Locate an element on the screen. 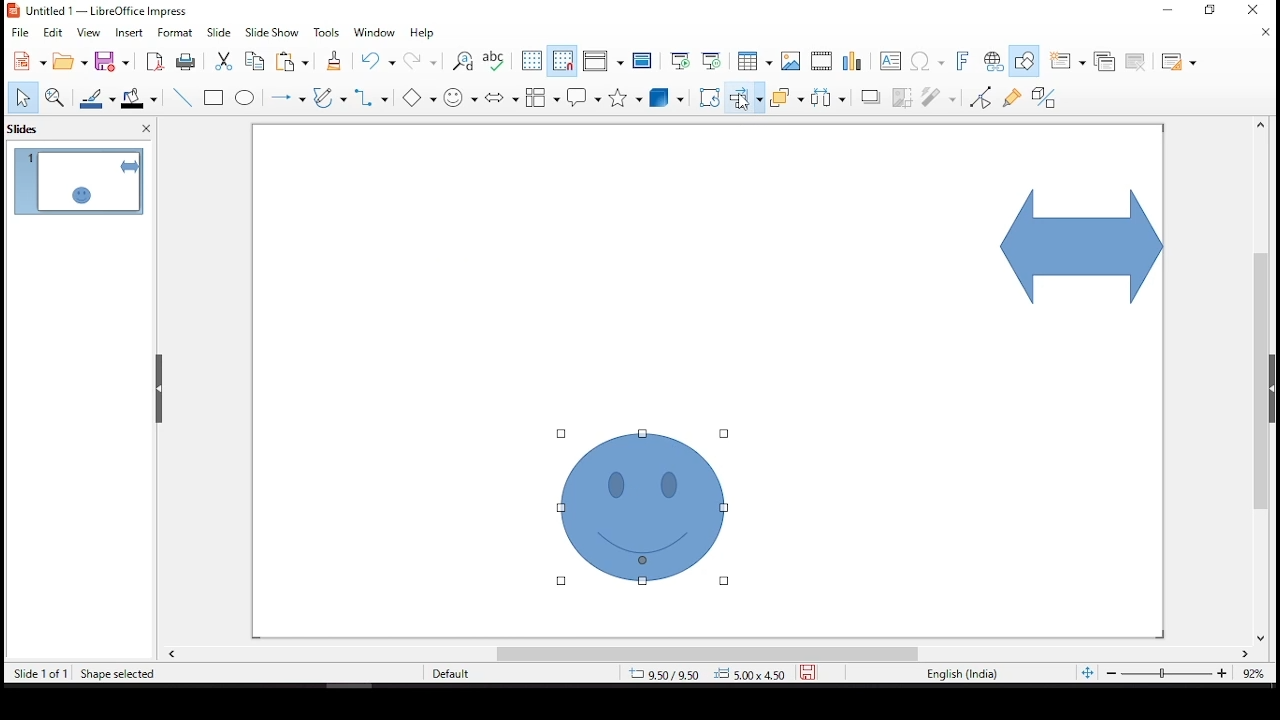 This screenshot has width=1280, height=720. toggle extrusion is located at coordinates (1043, 97).